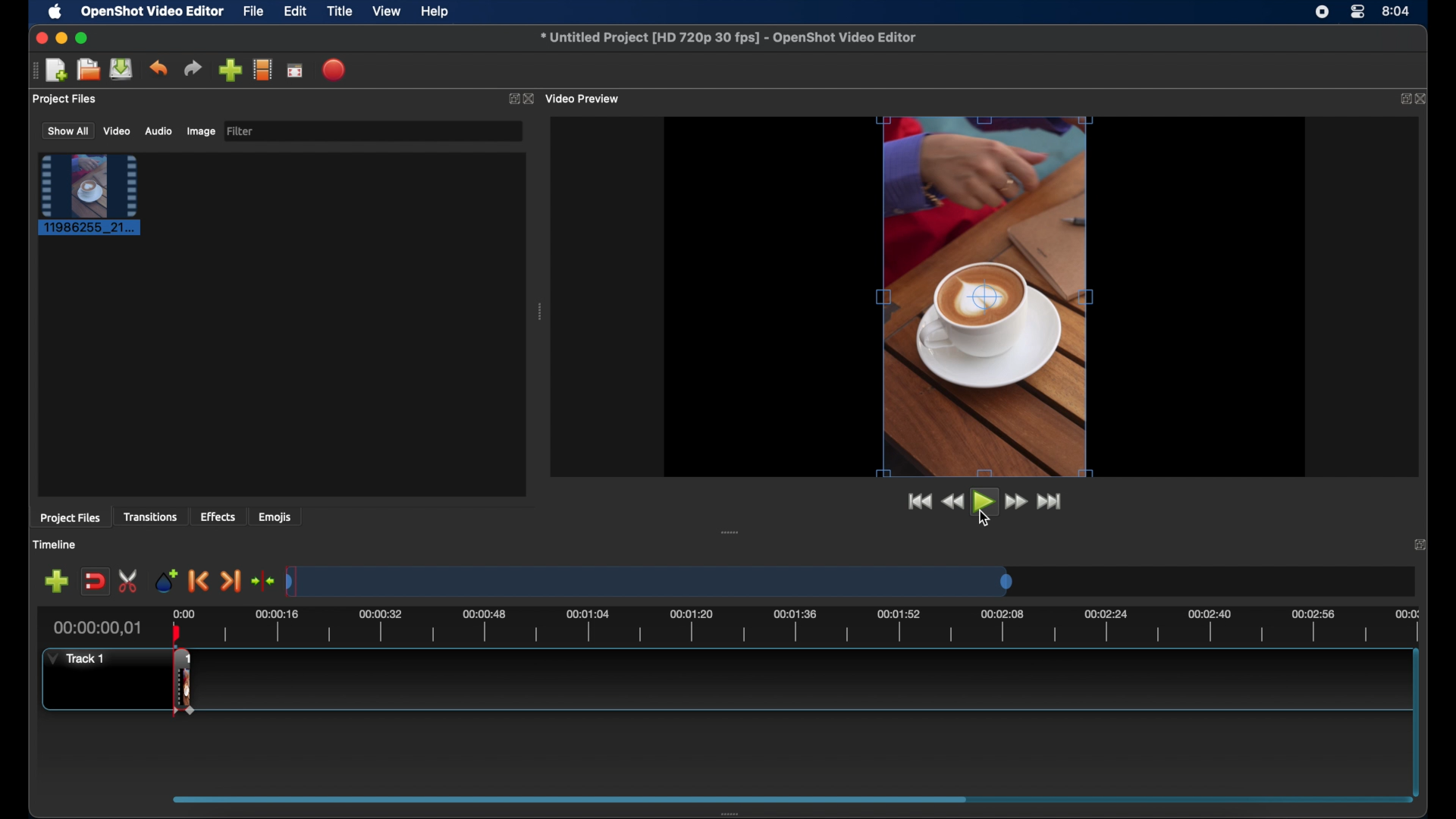  I want to click on timeline, so click(56, 544).